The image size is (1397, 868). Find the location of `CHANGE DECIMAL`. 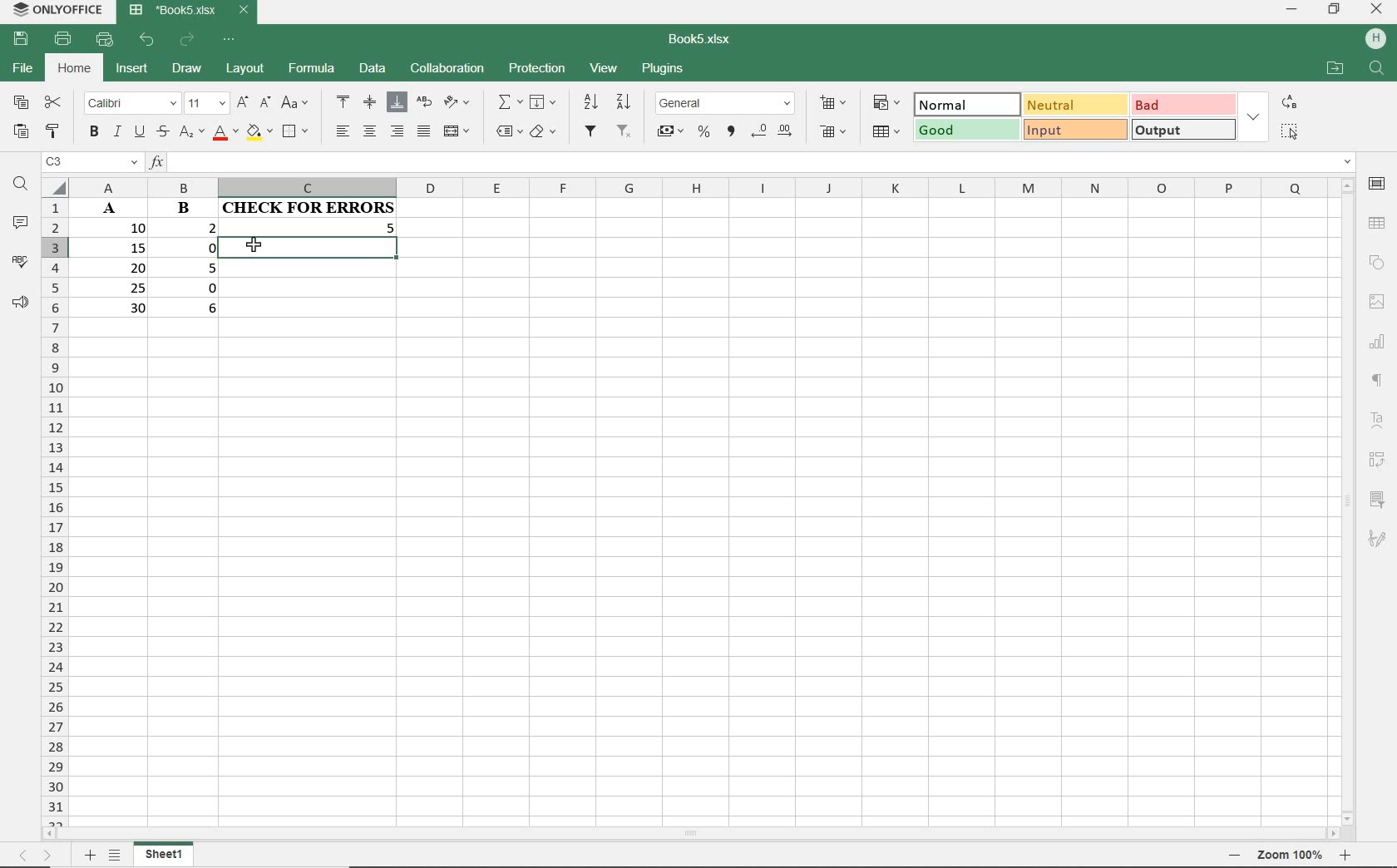

CHANGE DECIMAL is located at coordinates (774, 133).